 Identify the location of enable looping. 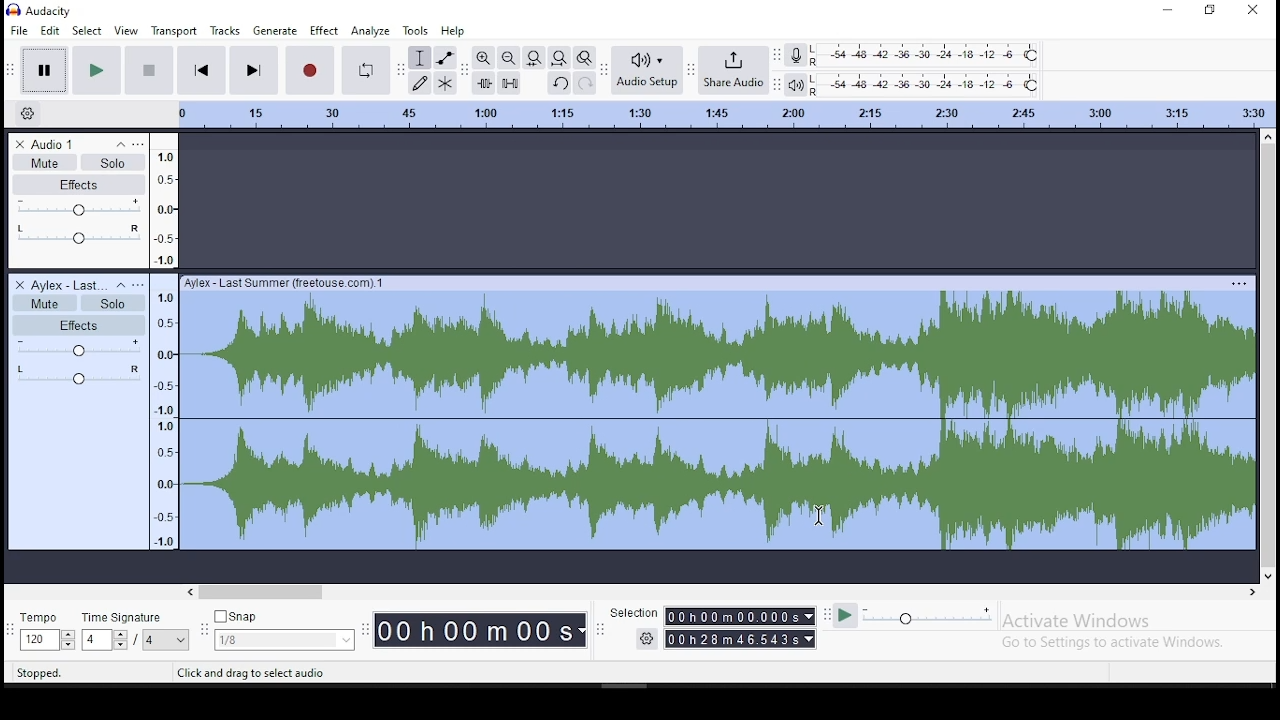
(368, 71).